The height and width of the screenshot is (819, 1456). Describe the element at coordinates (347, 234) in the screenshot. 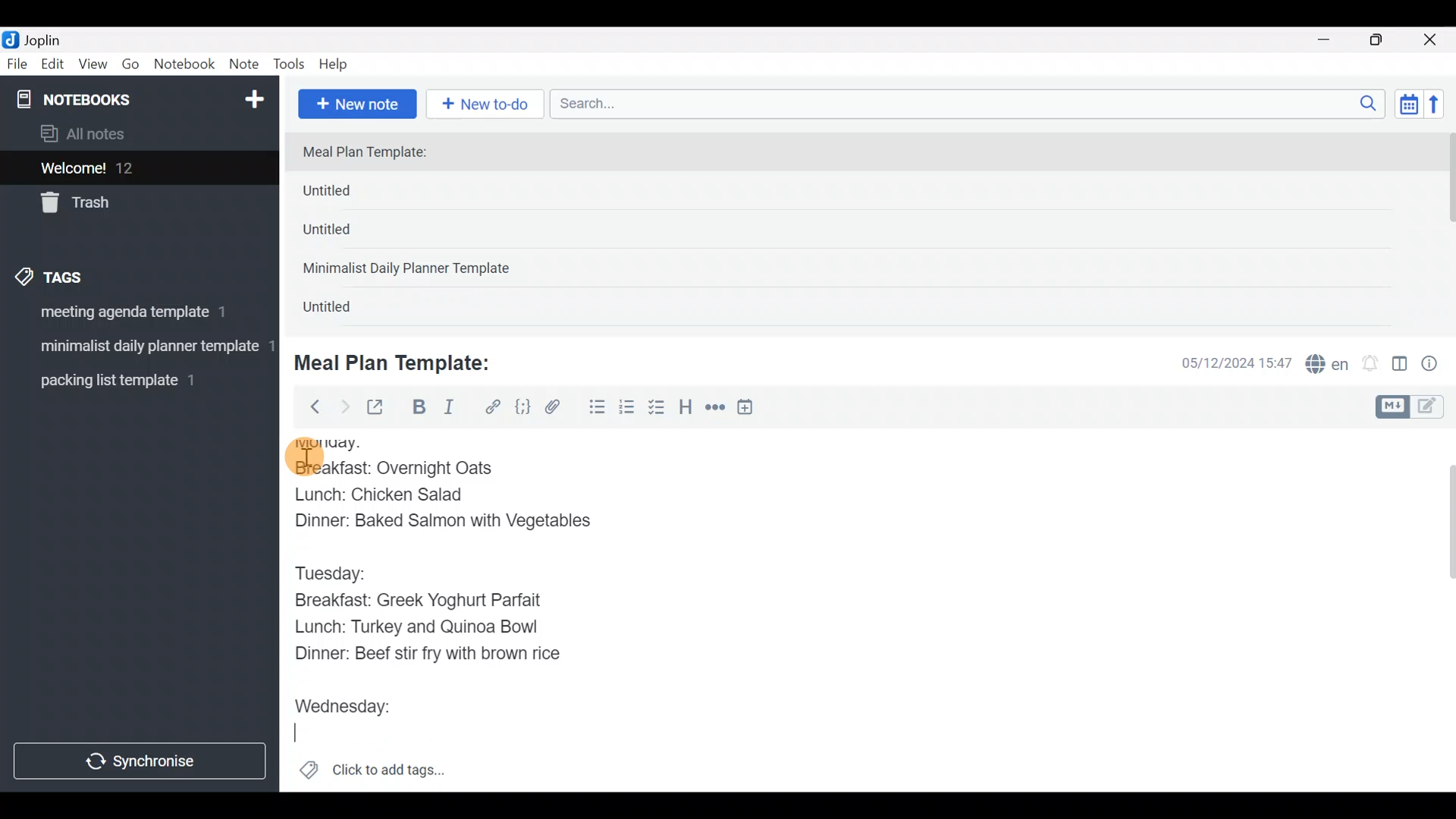

I see `Untitled` at that location.